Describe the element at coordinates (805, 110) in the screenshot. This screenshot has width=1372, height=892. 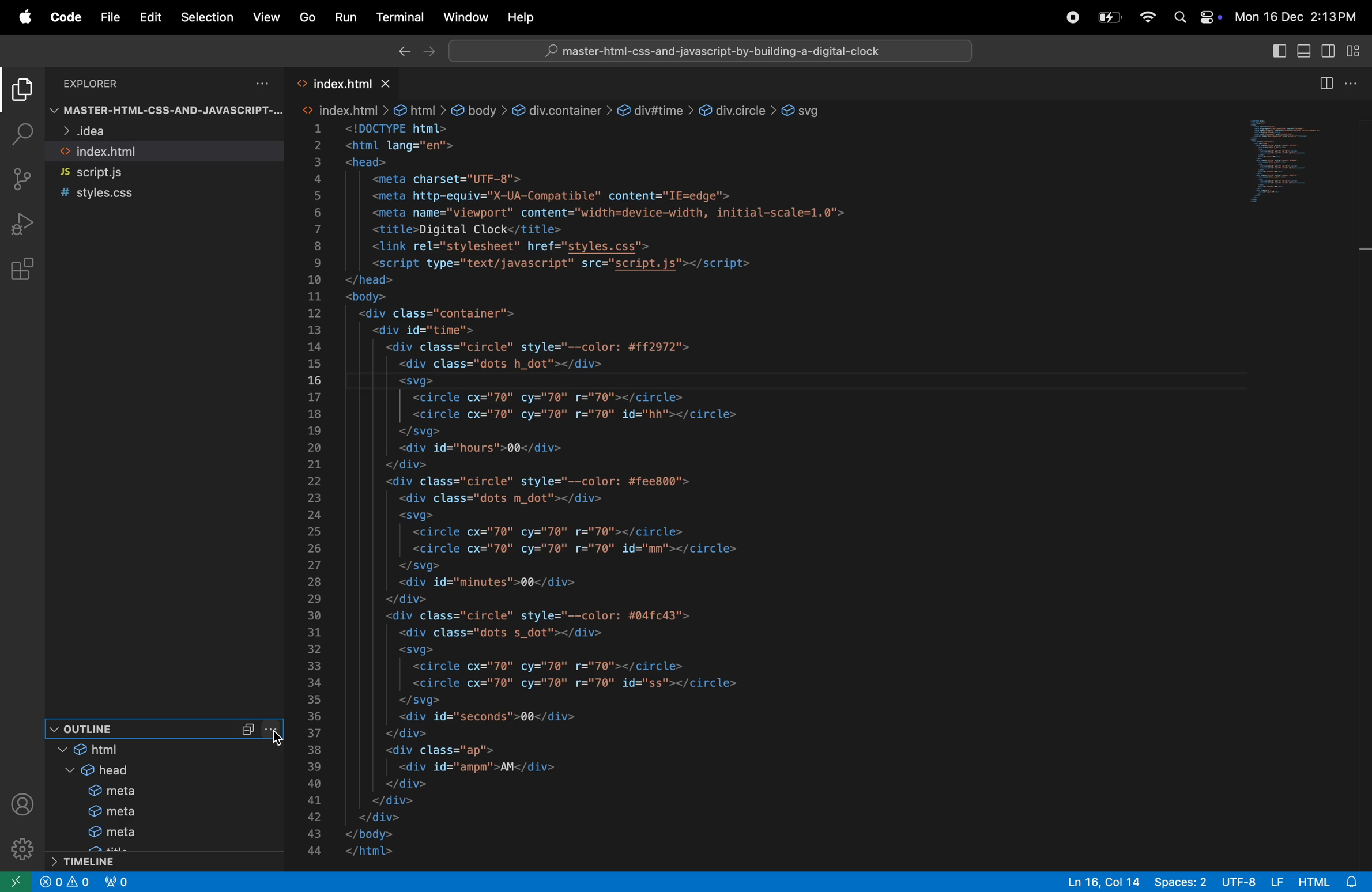
I see `svg` at that location.